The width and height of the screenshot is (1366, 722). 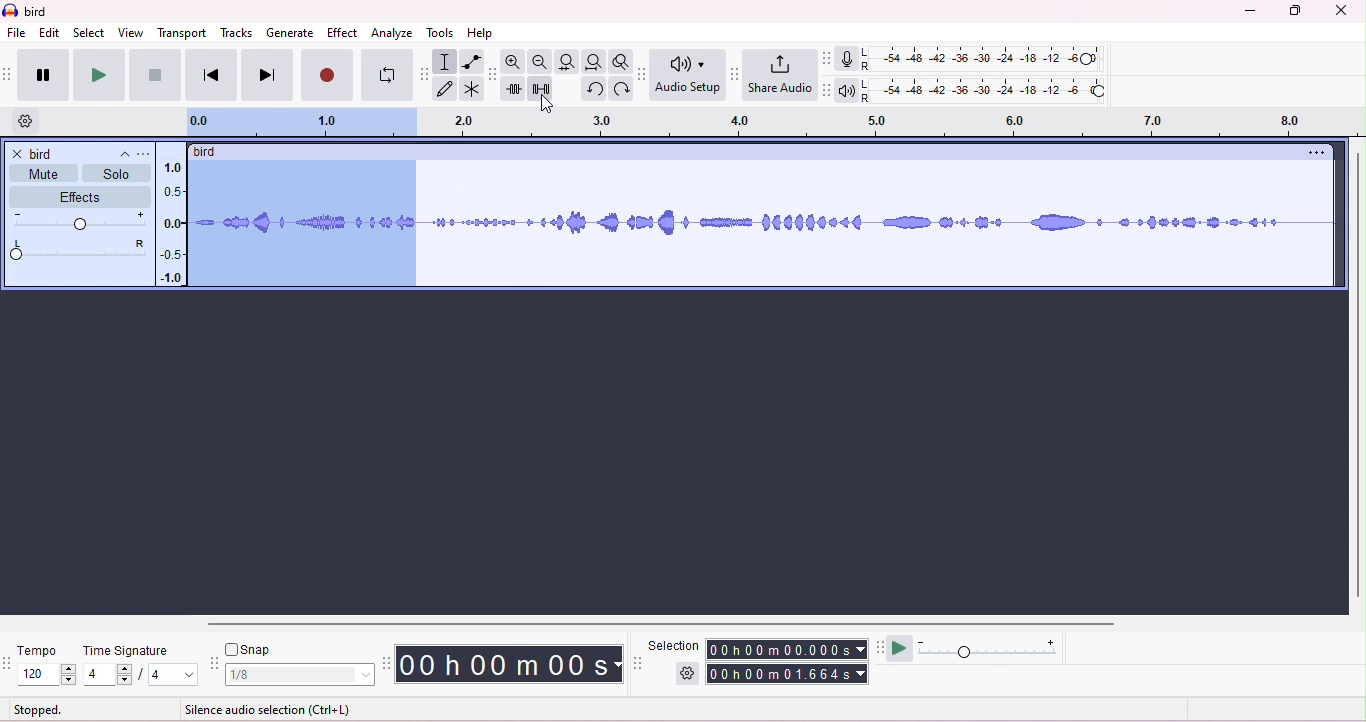 I want to click on mute, so click(x=42, y=174).